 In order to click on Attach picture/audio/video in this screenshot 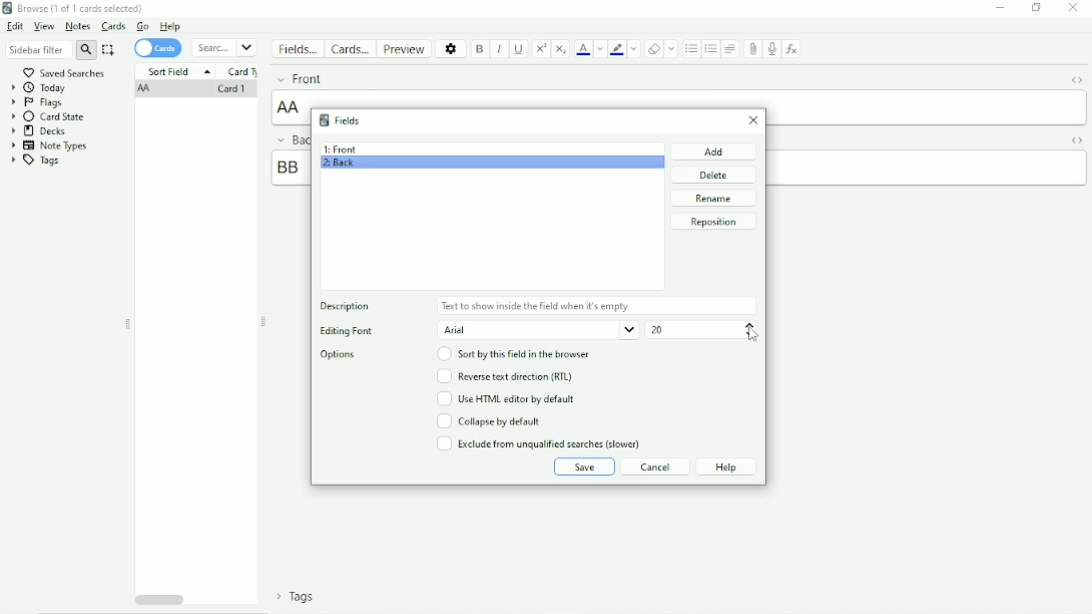, I will do `click(751, 49)`.